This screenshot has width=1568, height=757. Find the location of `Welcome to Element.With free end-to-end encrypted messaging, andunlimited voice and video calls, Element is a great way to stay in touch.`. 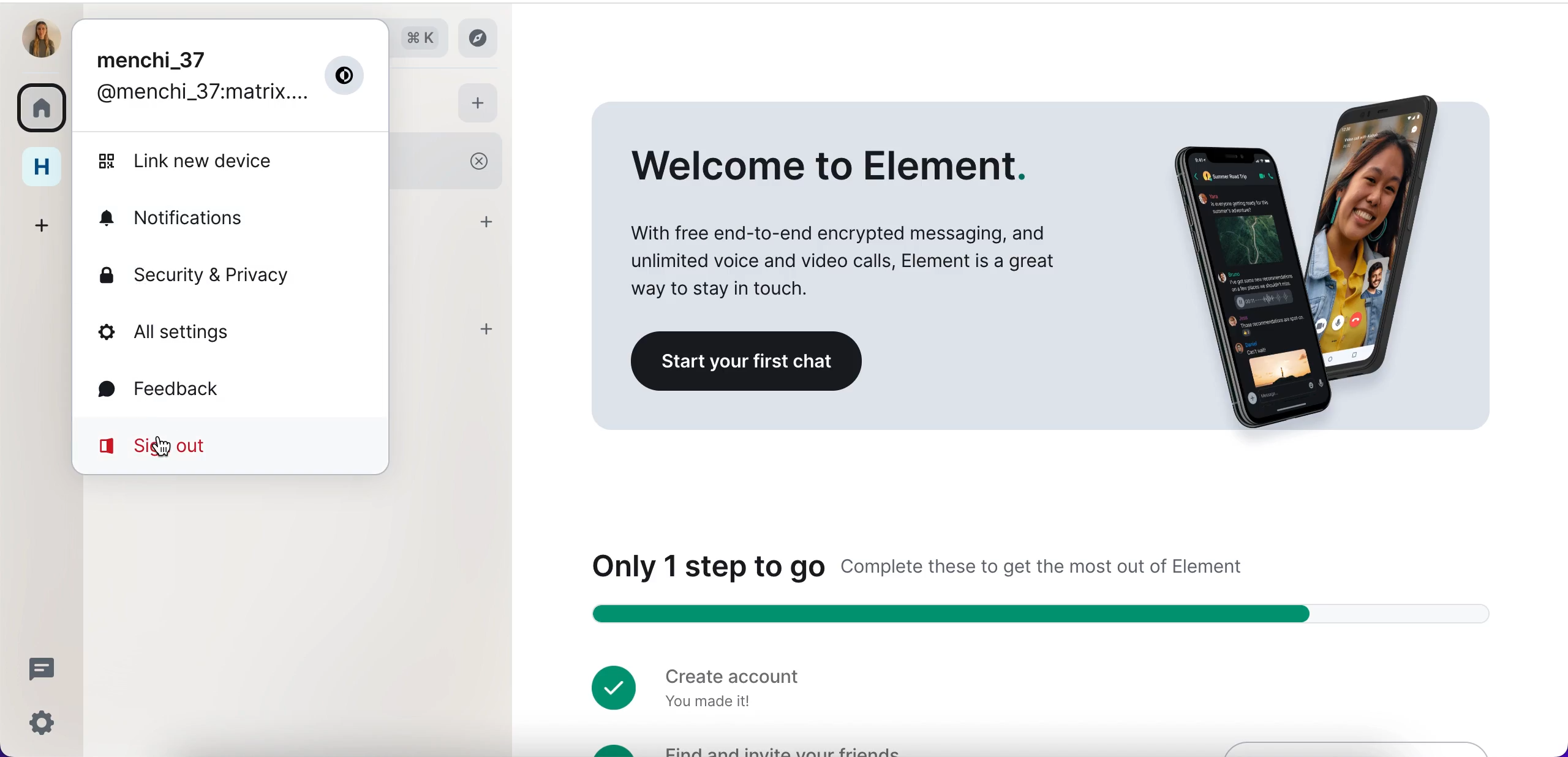

Welcome to Element.With free end-to-end encrypted messaging, andunlimited voice and video calls, Element is a great way to stay in touch. is located at coordinates (849, 222).